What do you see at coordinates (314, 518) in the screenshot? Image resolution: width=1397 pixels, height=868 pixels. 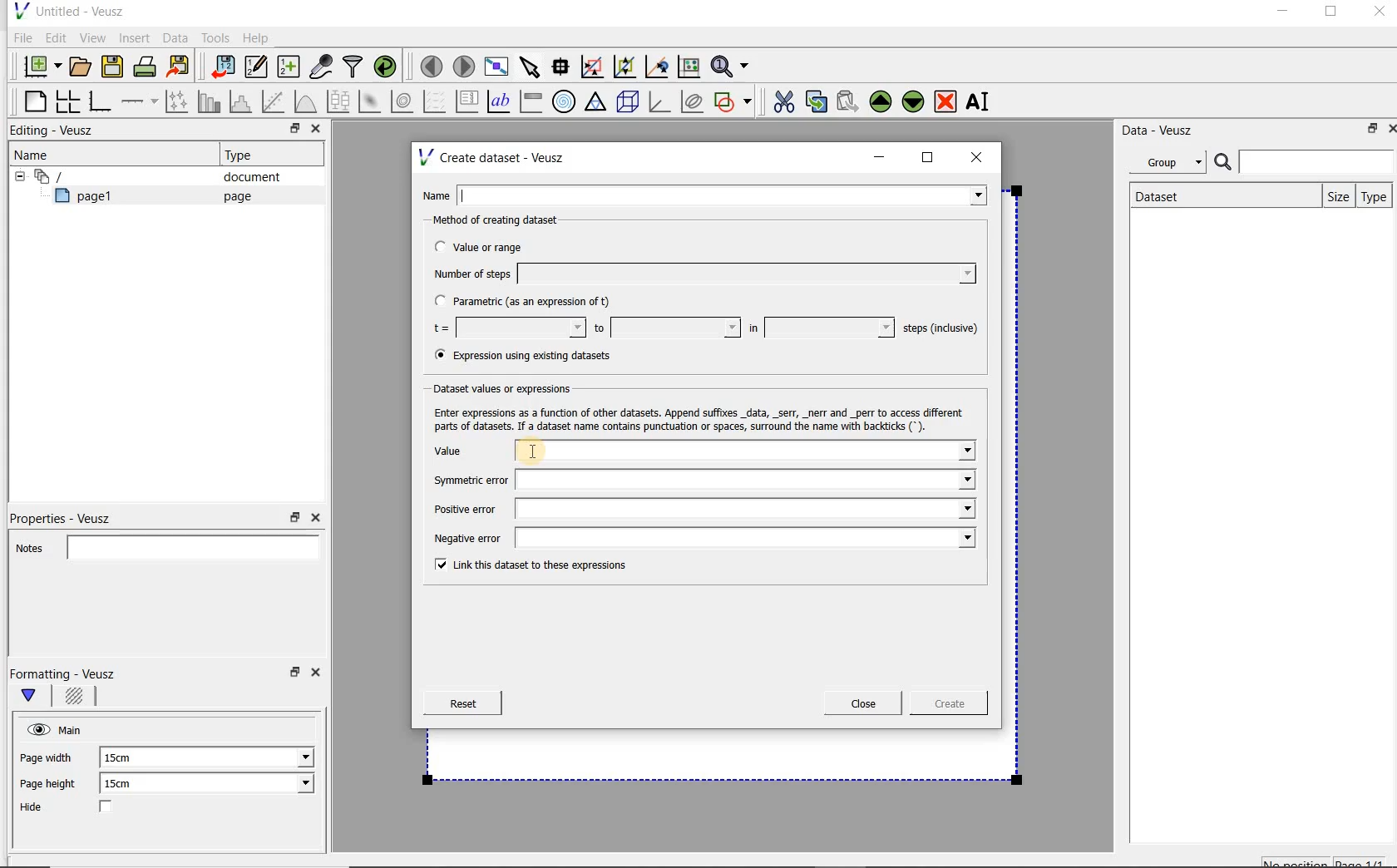 I see `Close` at bounding box center [314, 518].